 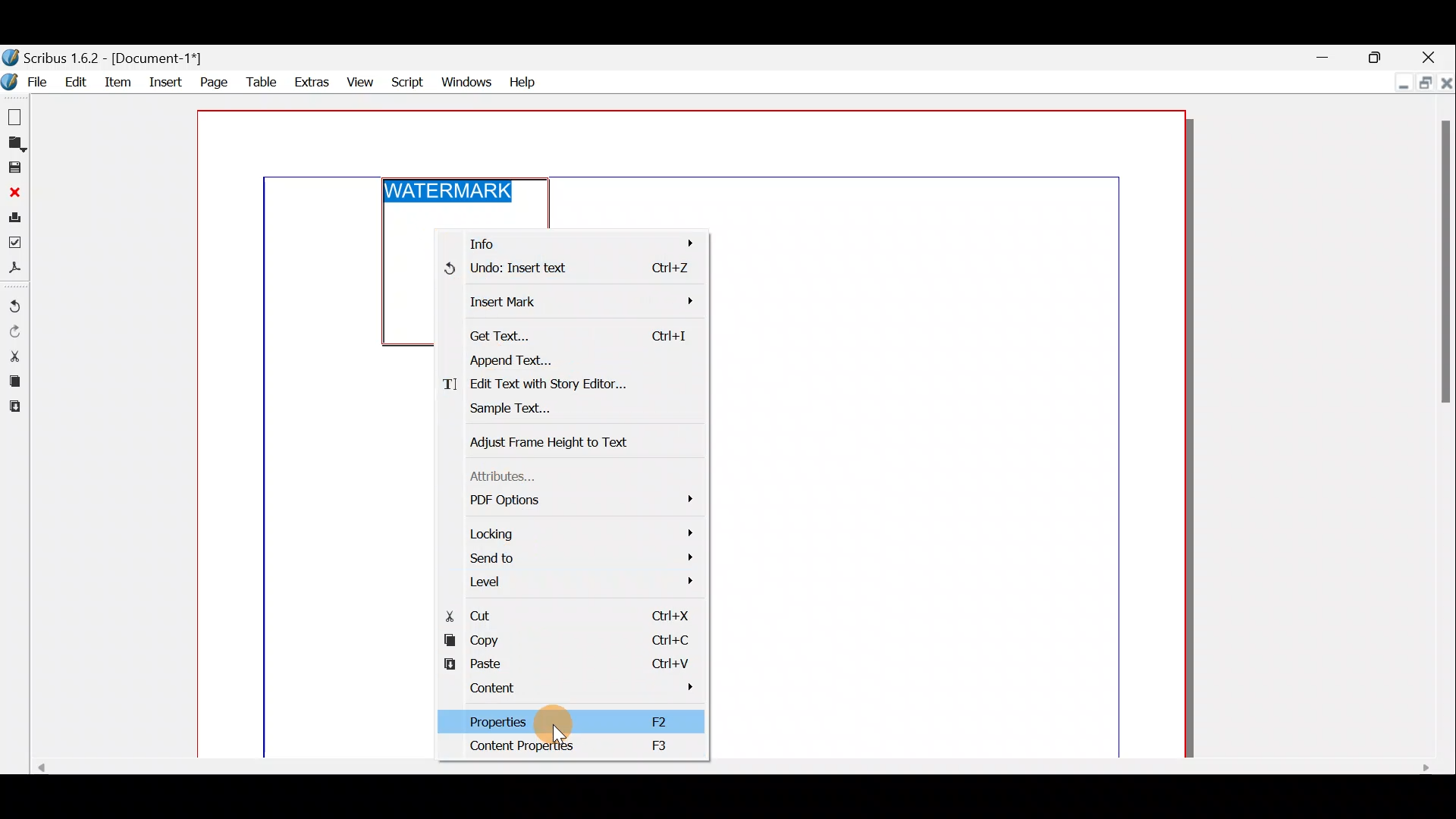 What do you see at coordinates (1326, 55) in the screenshot?
I see `Minimise` at bounding box center [1326, 55].